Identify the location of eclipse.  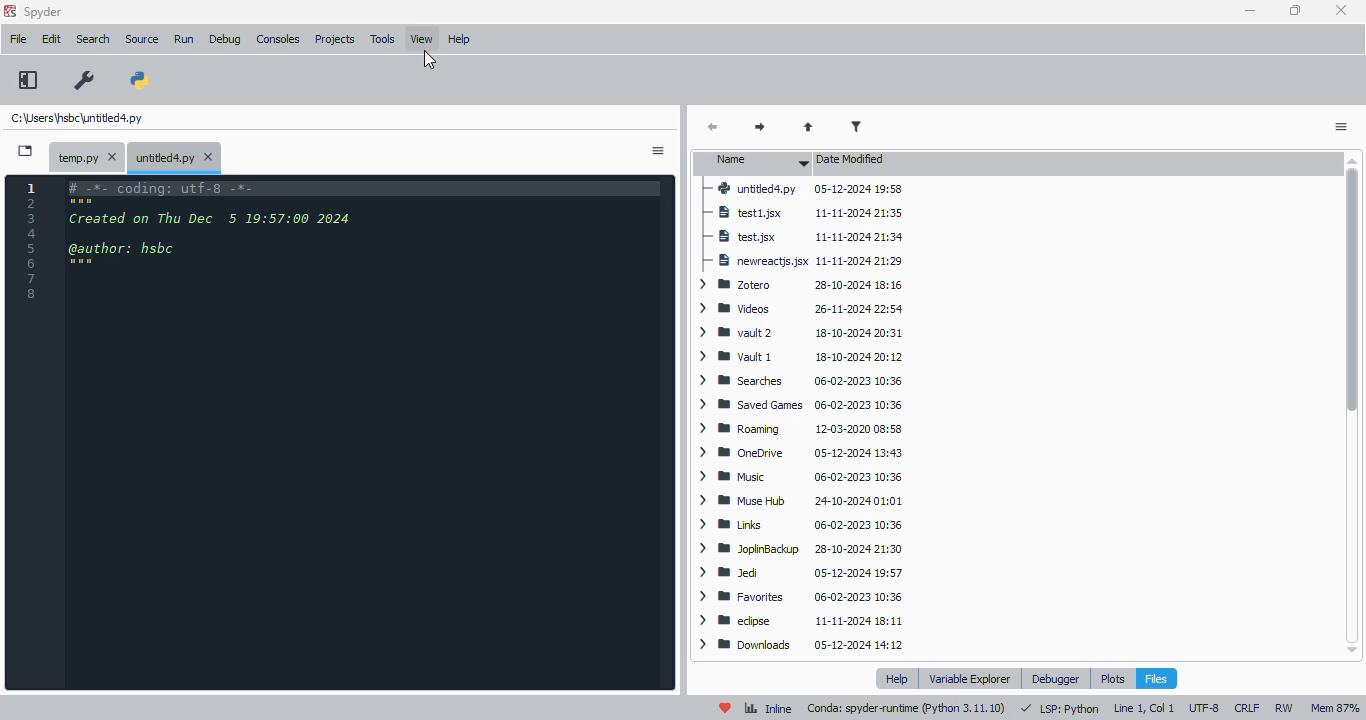
(801, 621).